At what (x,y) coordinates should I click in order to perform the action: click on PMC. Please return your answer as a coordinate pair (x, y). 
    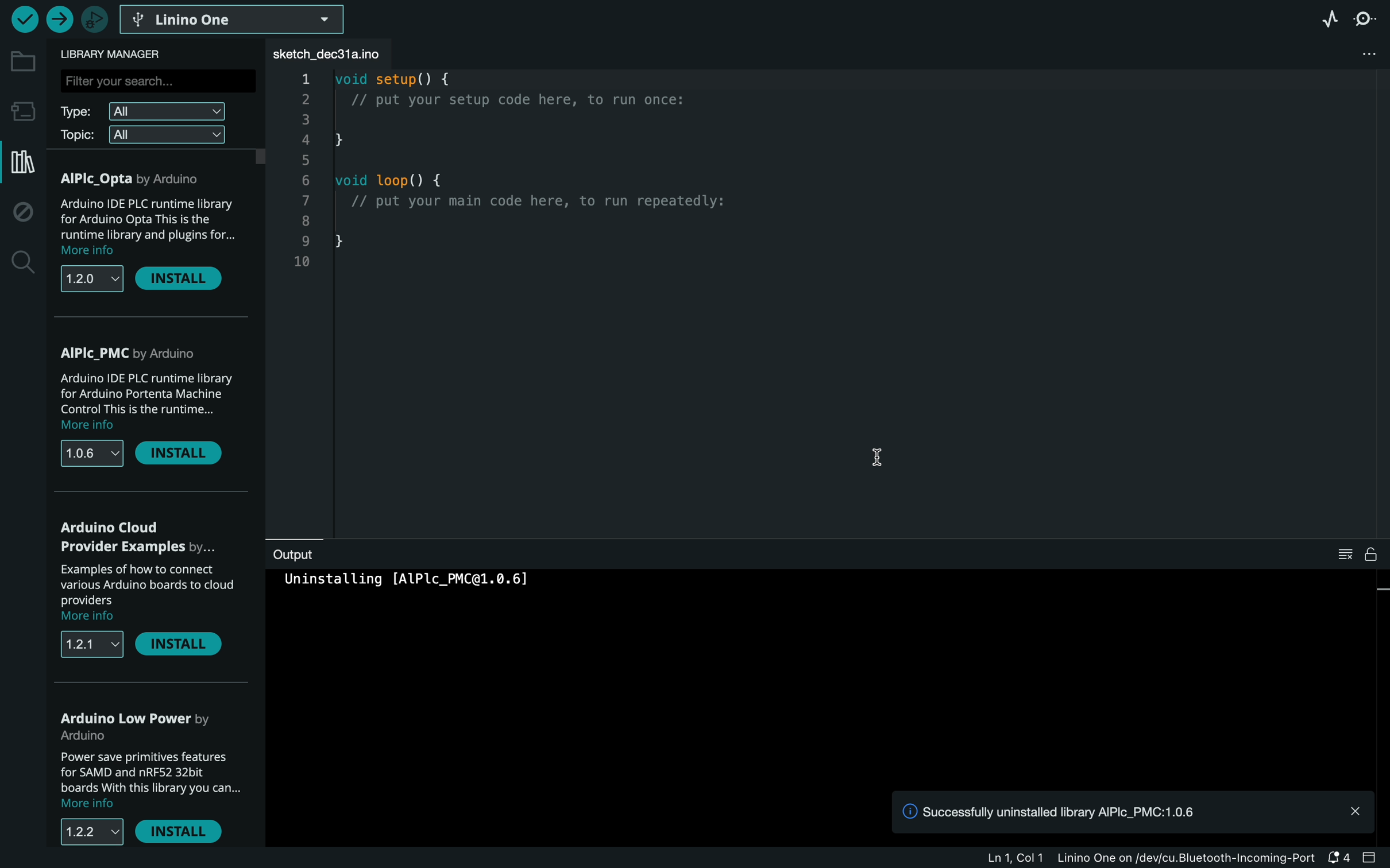
    Looking at the image, I should click on (152, 350).